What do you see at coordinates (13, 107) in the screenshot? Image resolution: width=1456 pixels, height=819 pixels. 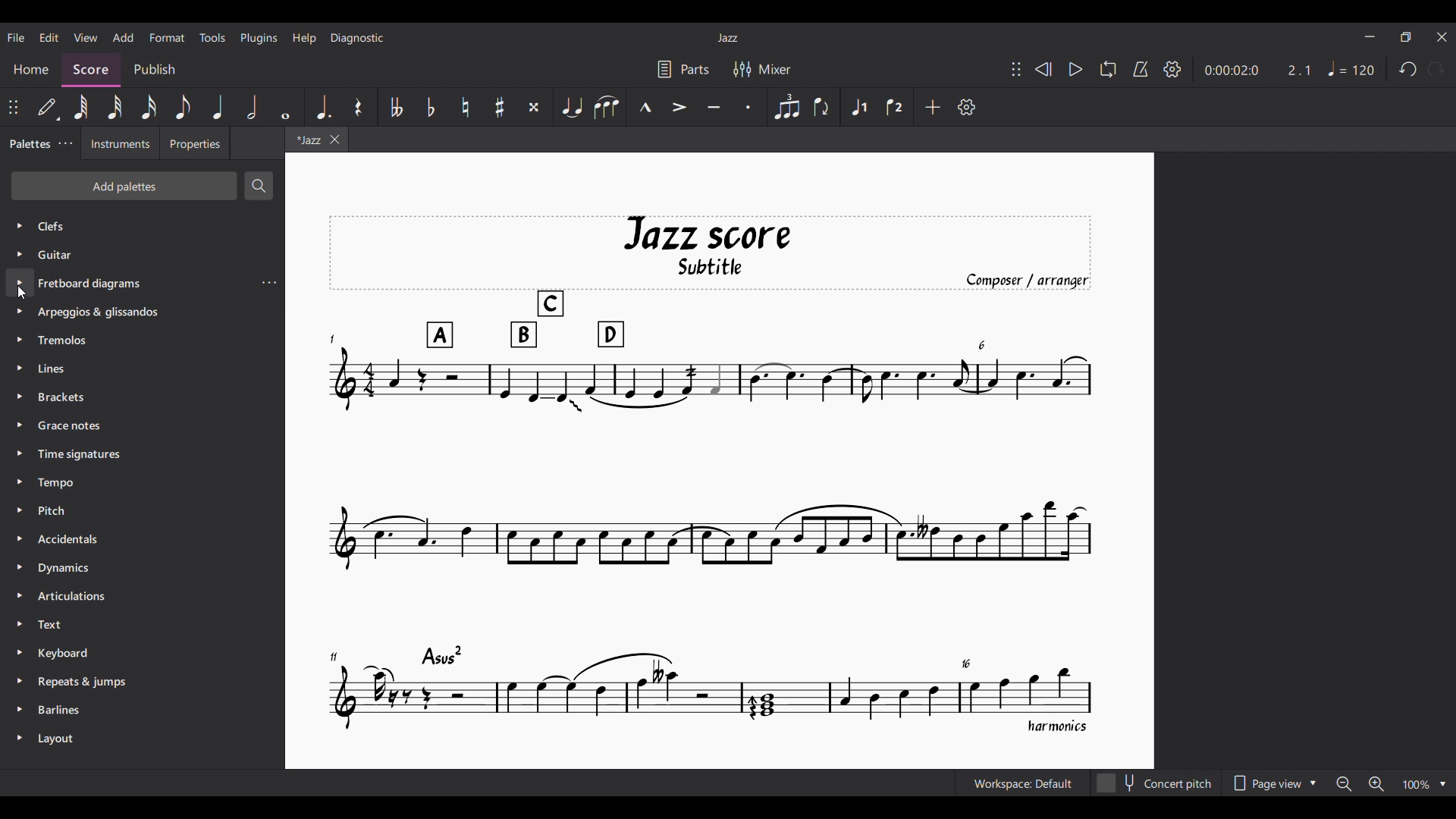 I see `Change position` at bounding box center [13, 107].